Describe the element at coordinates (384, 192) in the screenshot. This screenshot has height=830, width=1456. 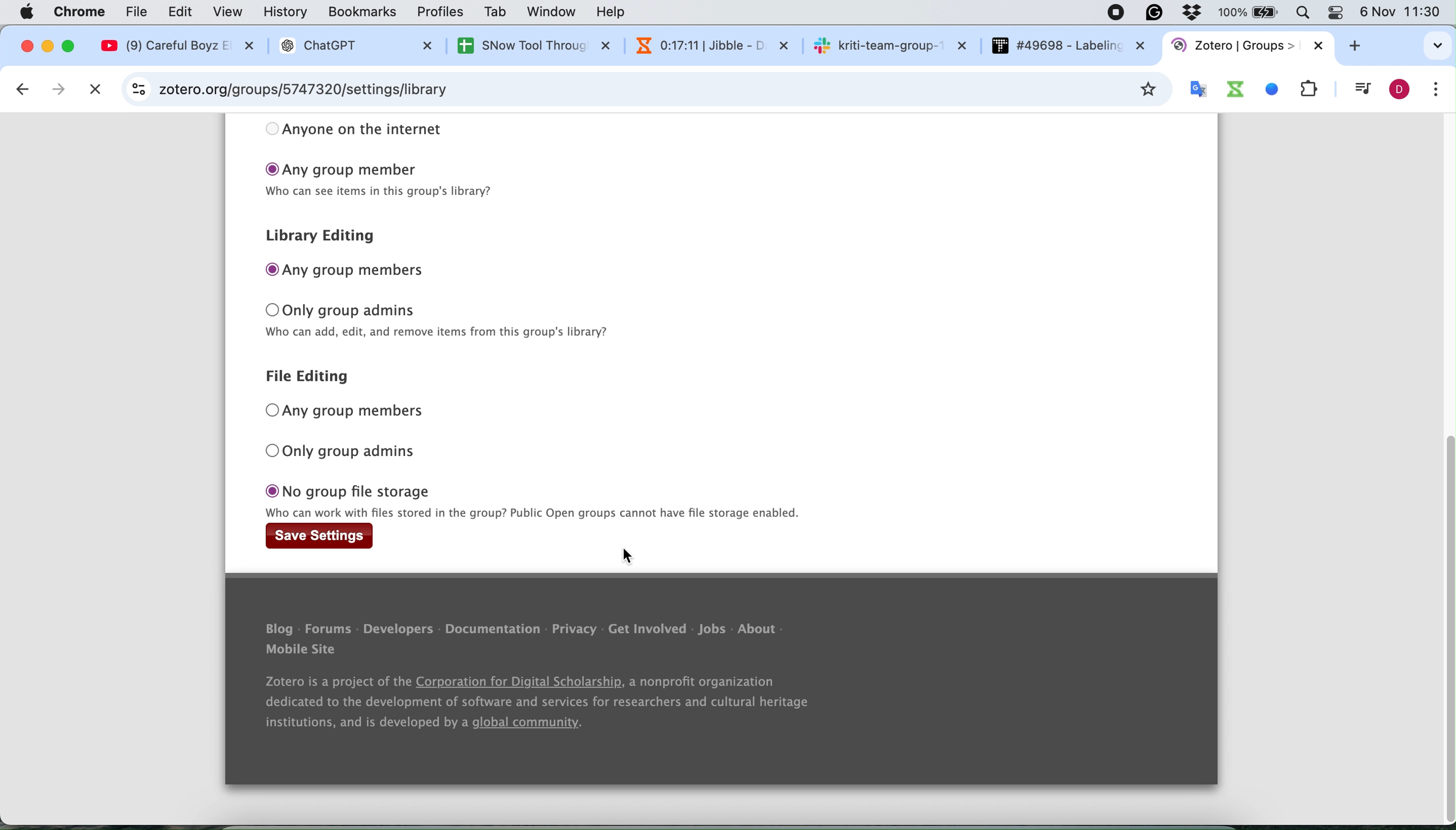
I see `text` at that location.